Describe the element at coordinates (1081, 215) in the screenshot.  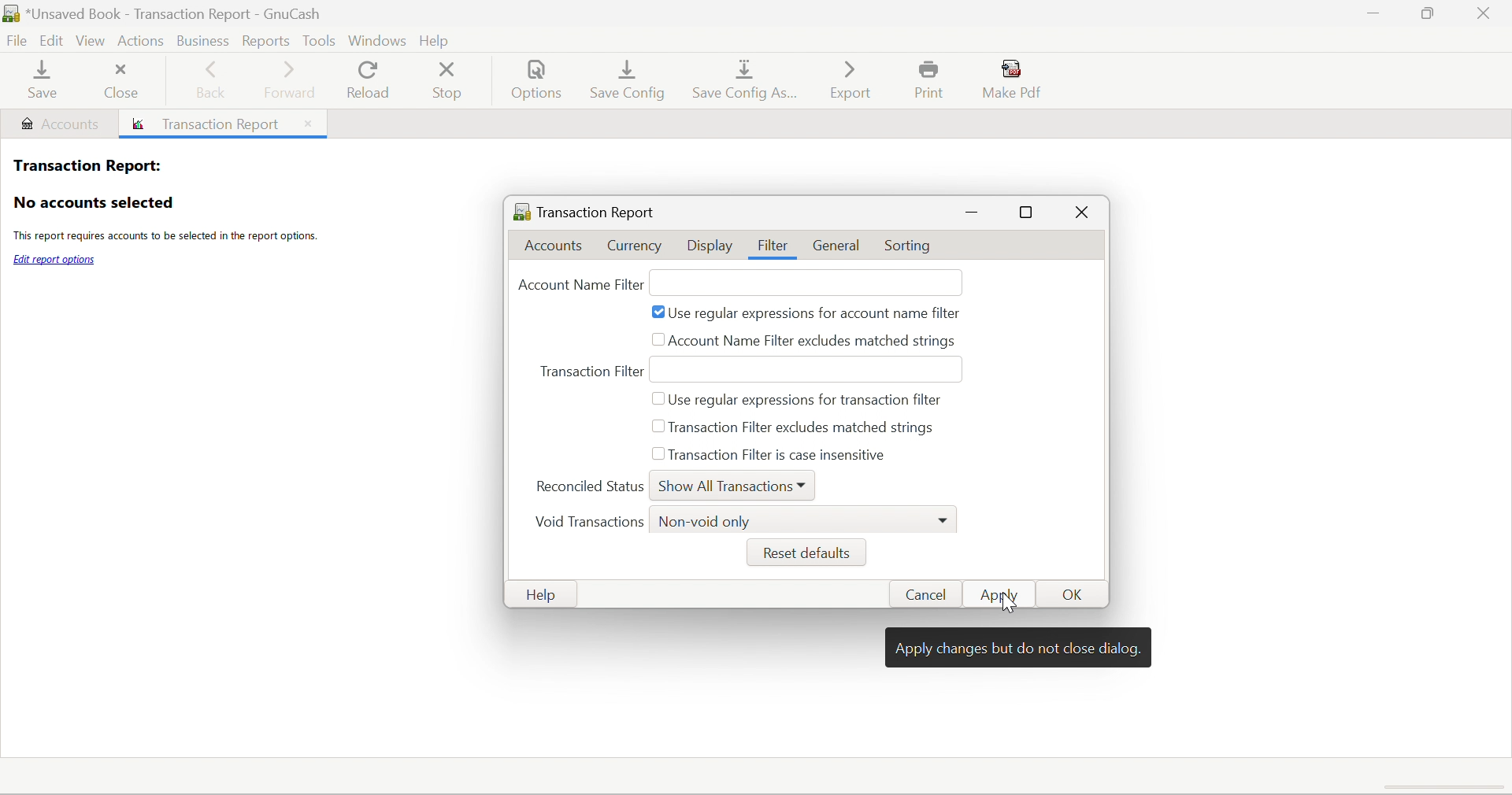
I see `Close` at that location.